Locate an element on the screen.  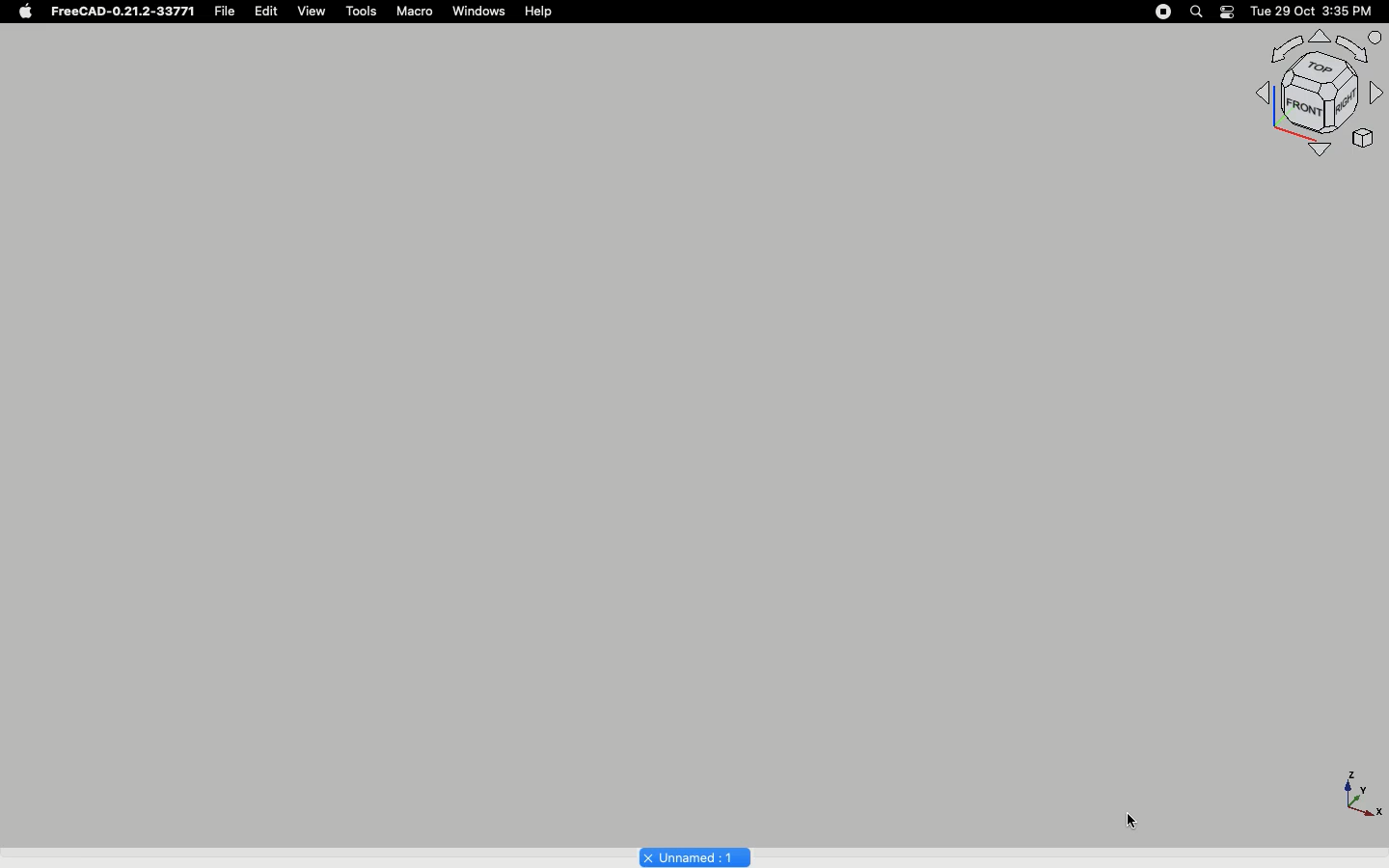
Grey background is located at coordinates (617, 413).